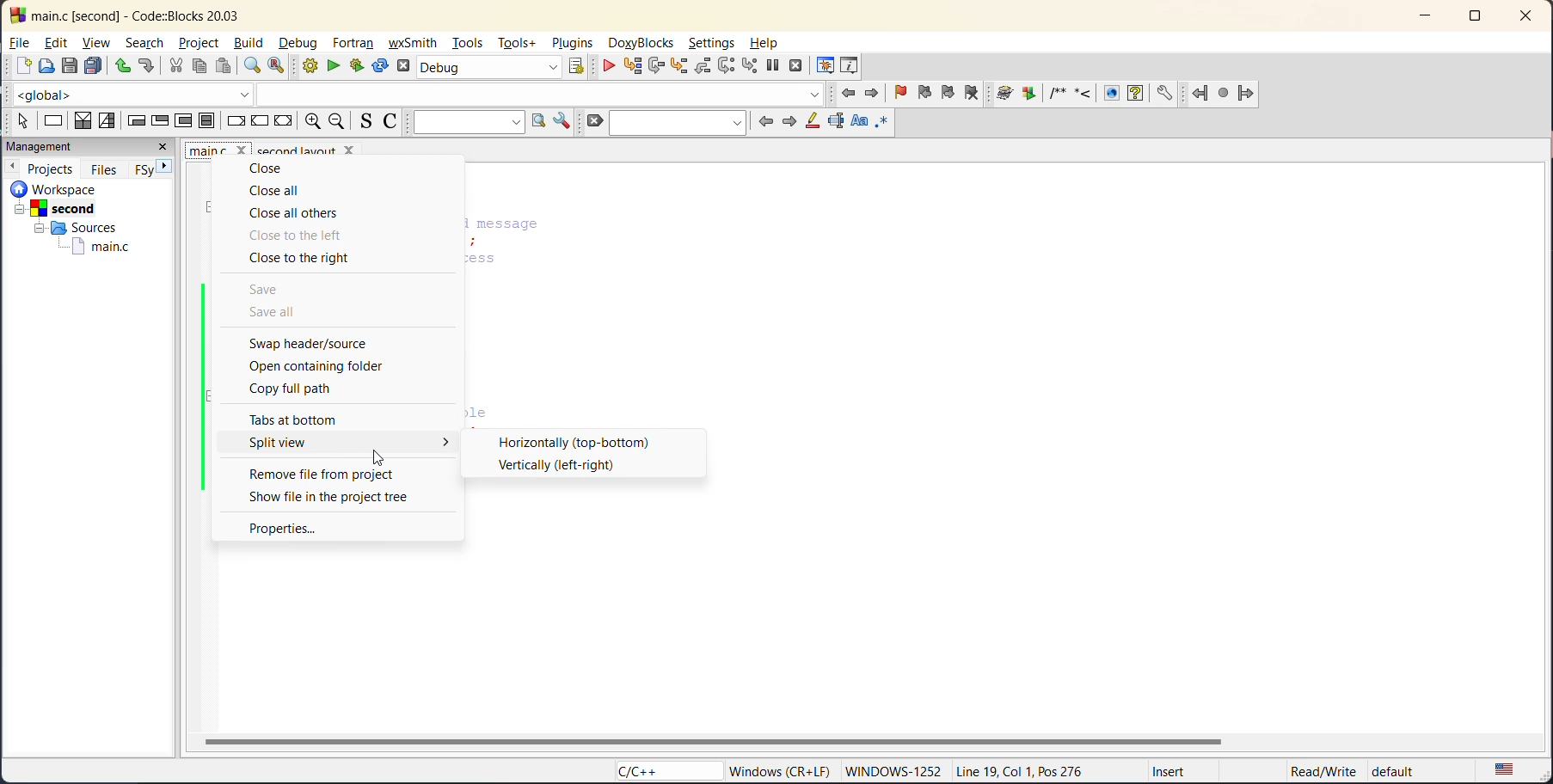 The width and height of the screenshot is (1553, 784). I want to click on break instruction, so click(233, 121).